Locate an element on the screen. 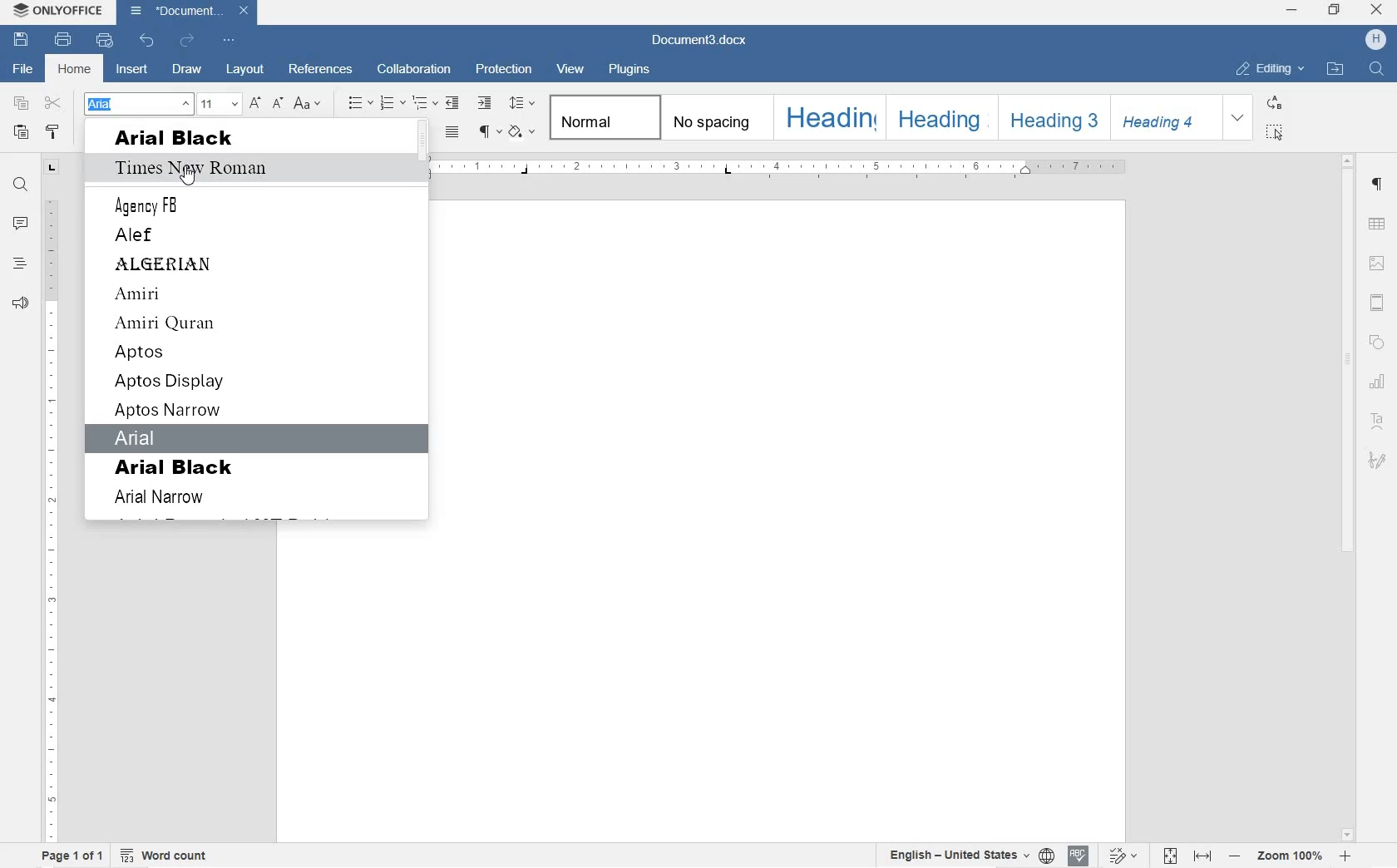 The height and width of the screenshot is (868, 1397). SHADING is located at coordinates (523, 131).